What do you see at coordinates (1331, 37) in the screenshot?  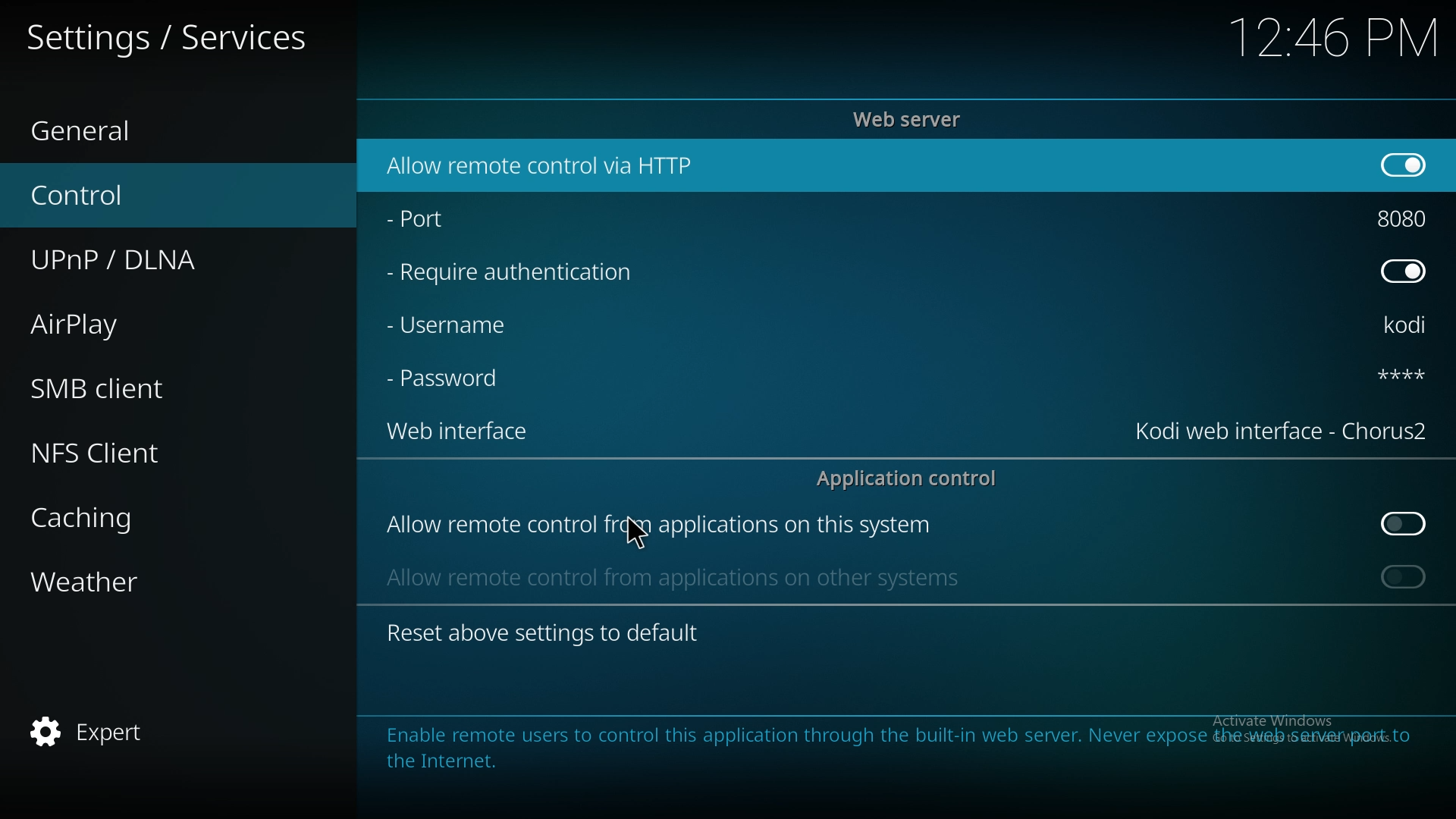 I see `time` at bounding box center [1331, 37].